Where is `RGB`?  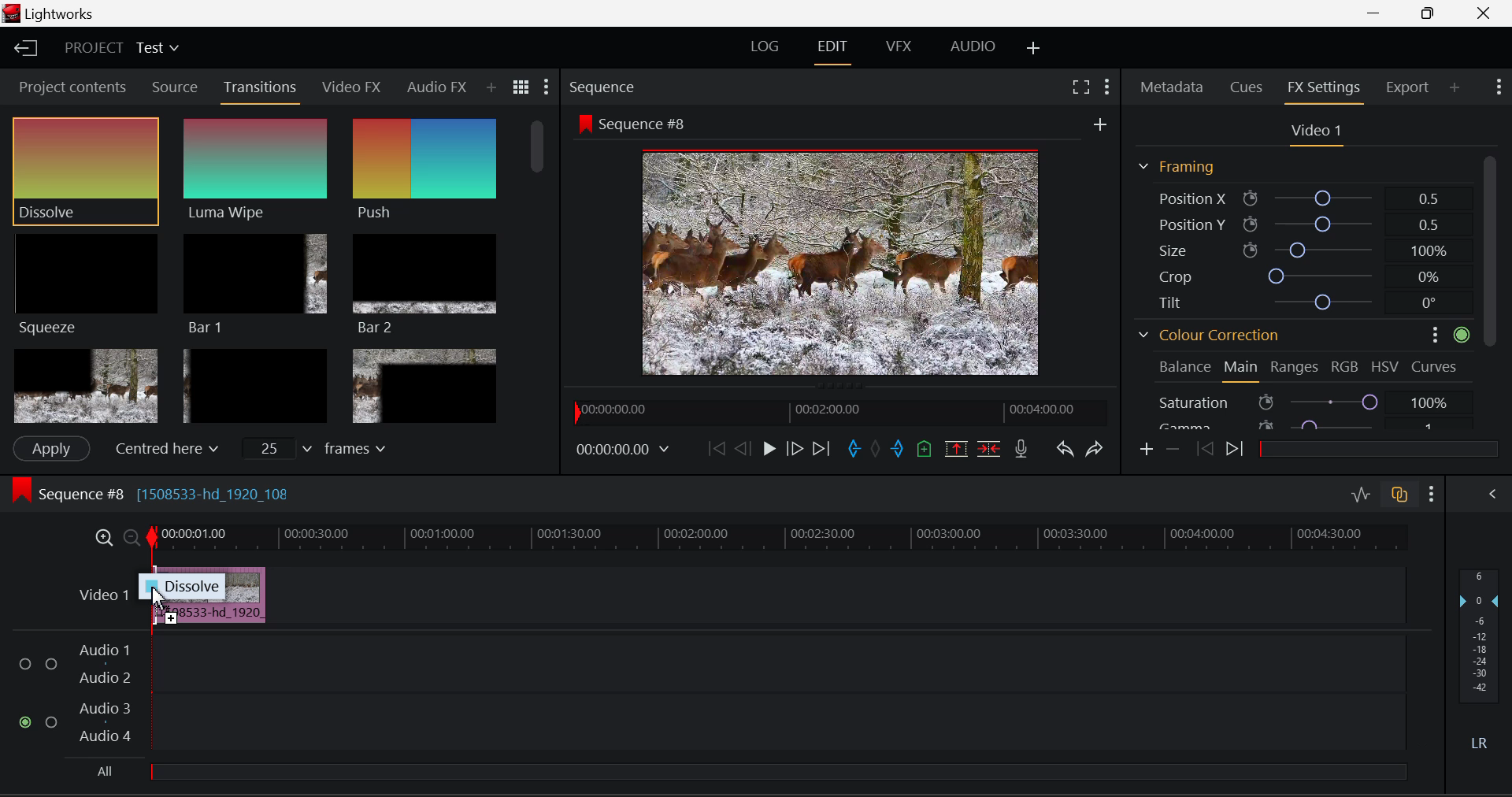 RGB is located at coordinates (1345, 366).